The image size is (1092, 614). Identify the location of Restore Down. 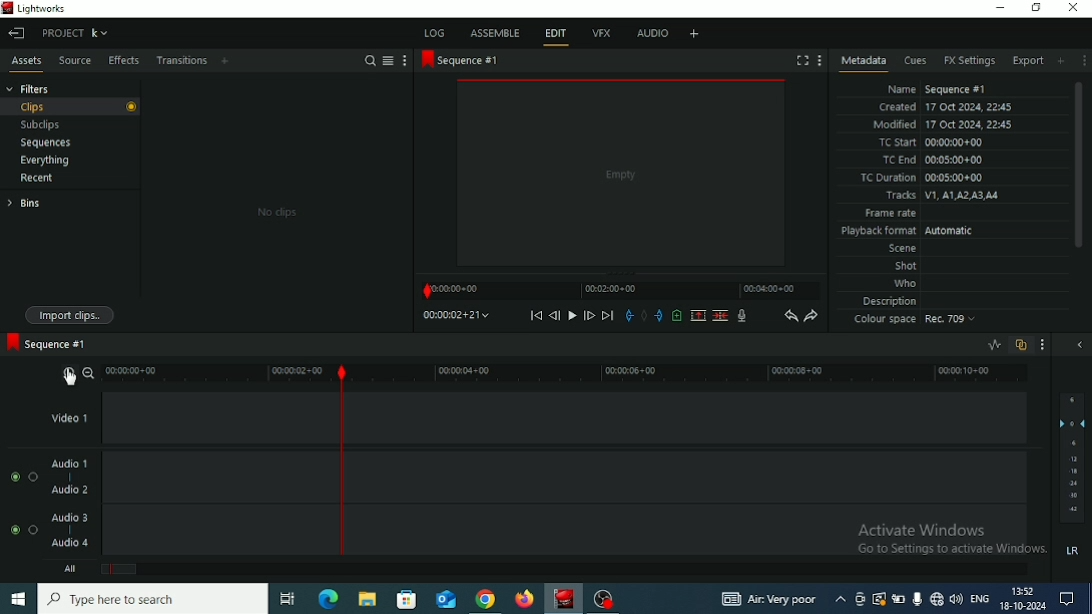
(1037, 8).